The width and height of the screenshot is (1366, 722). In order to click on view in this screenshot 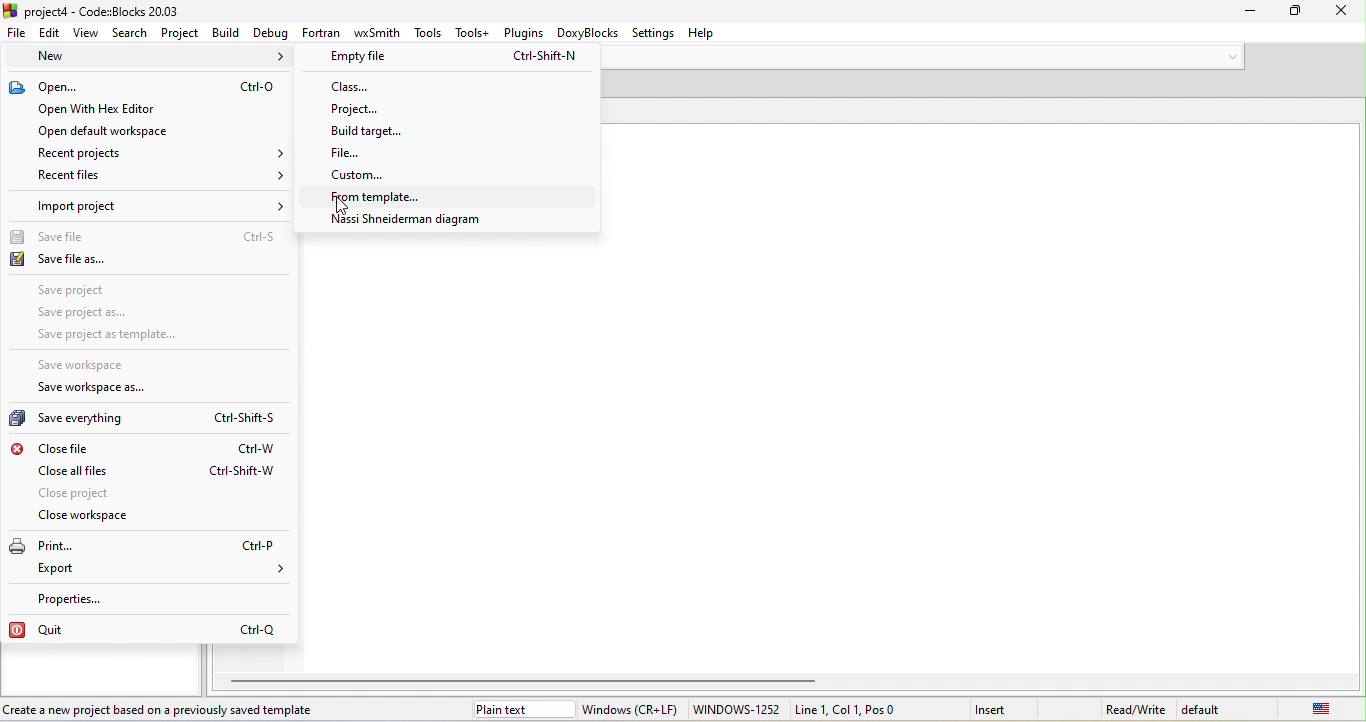, I will do `click(88, 35)`.